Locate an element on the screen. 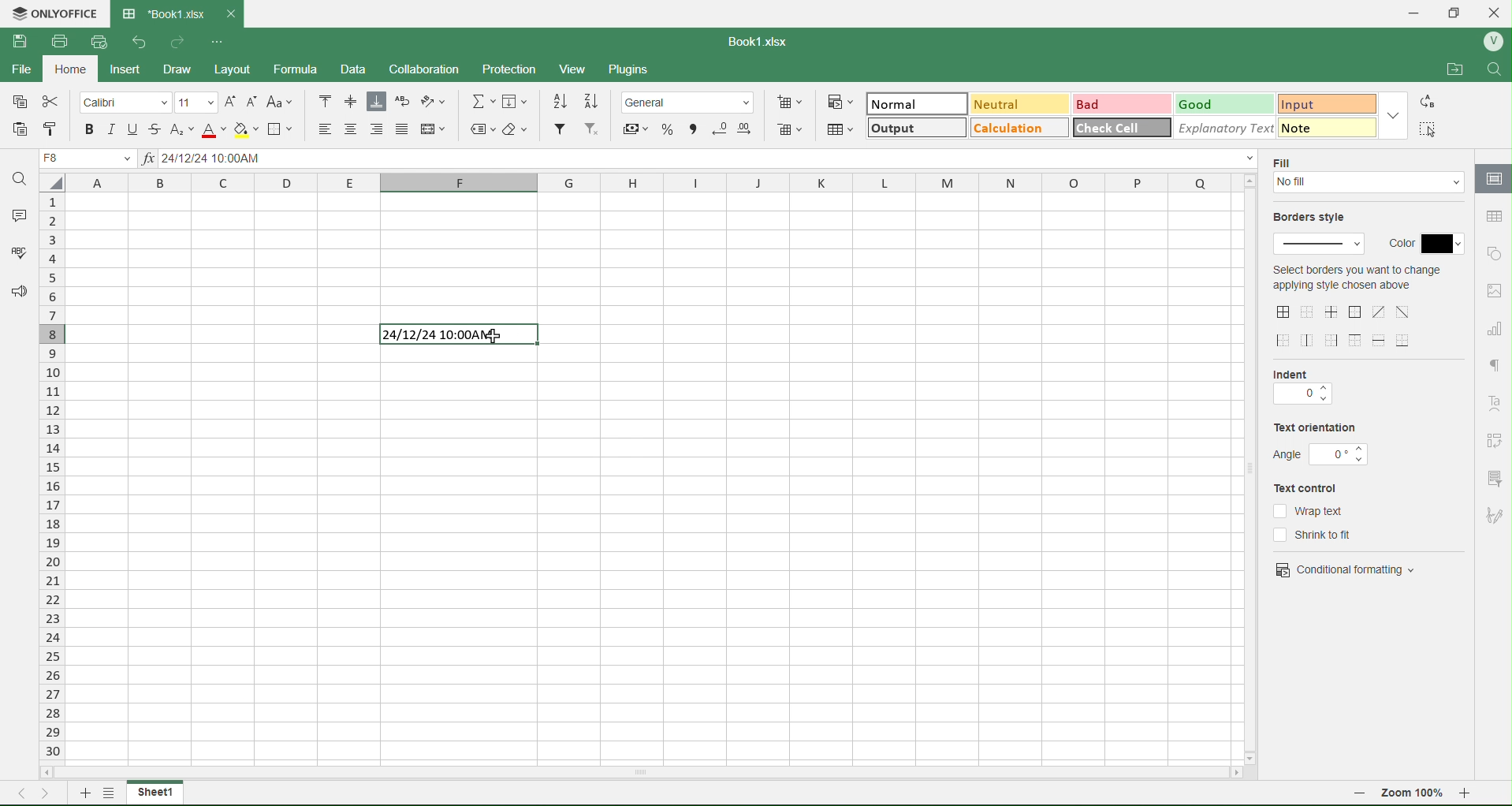 This screenshot has width=1512, height=806. Open File Location is located at coordinates (1446, 65).